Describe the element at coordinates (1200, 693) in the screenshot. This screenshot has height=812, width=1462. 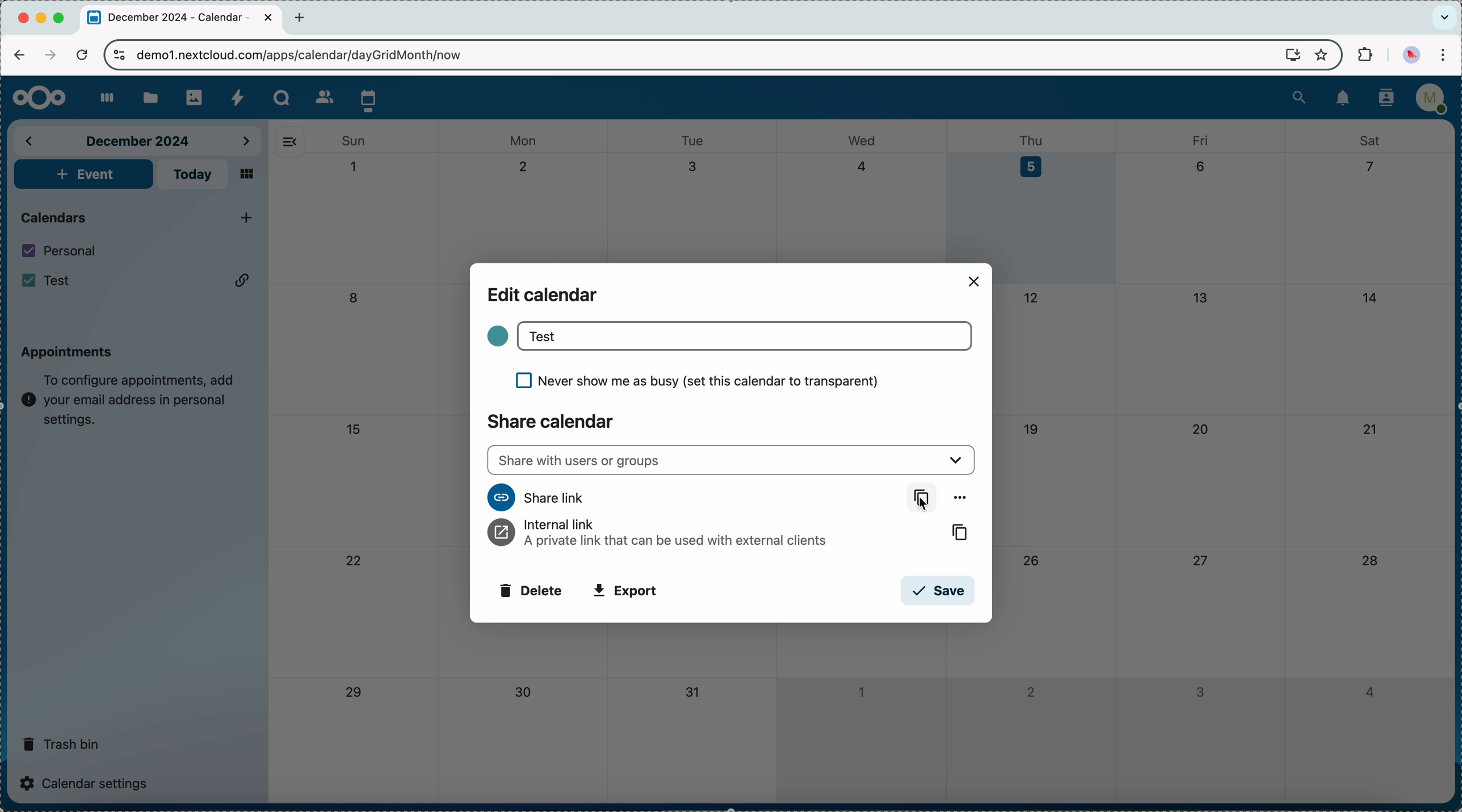
I see `3` at that location.